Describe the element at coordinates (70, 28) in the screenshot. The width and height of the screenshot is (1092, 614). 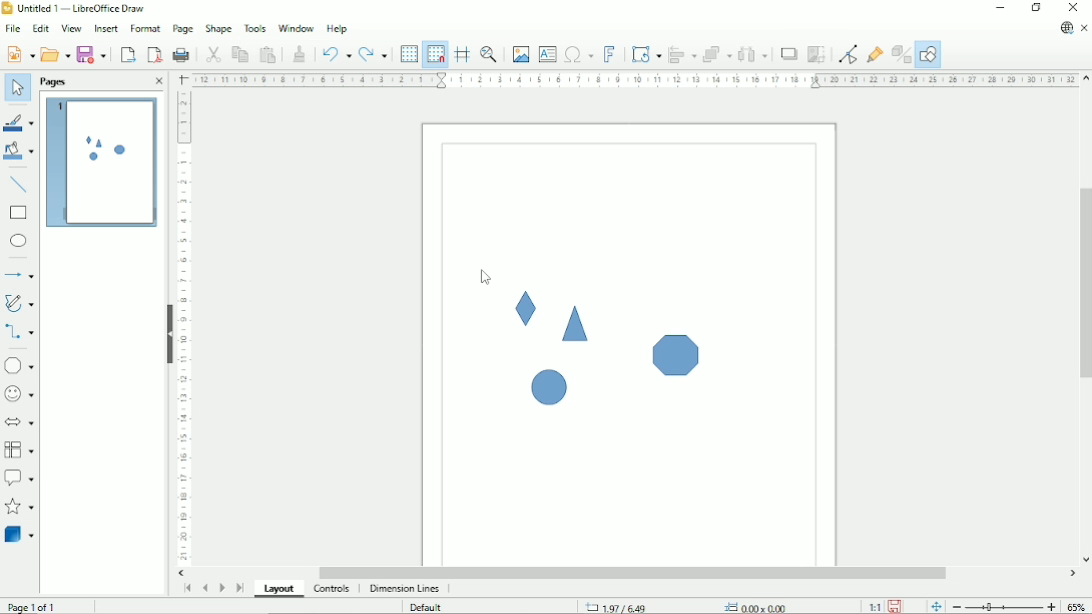
I see `View` at that location.